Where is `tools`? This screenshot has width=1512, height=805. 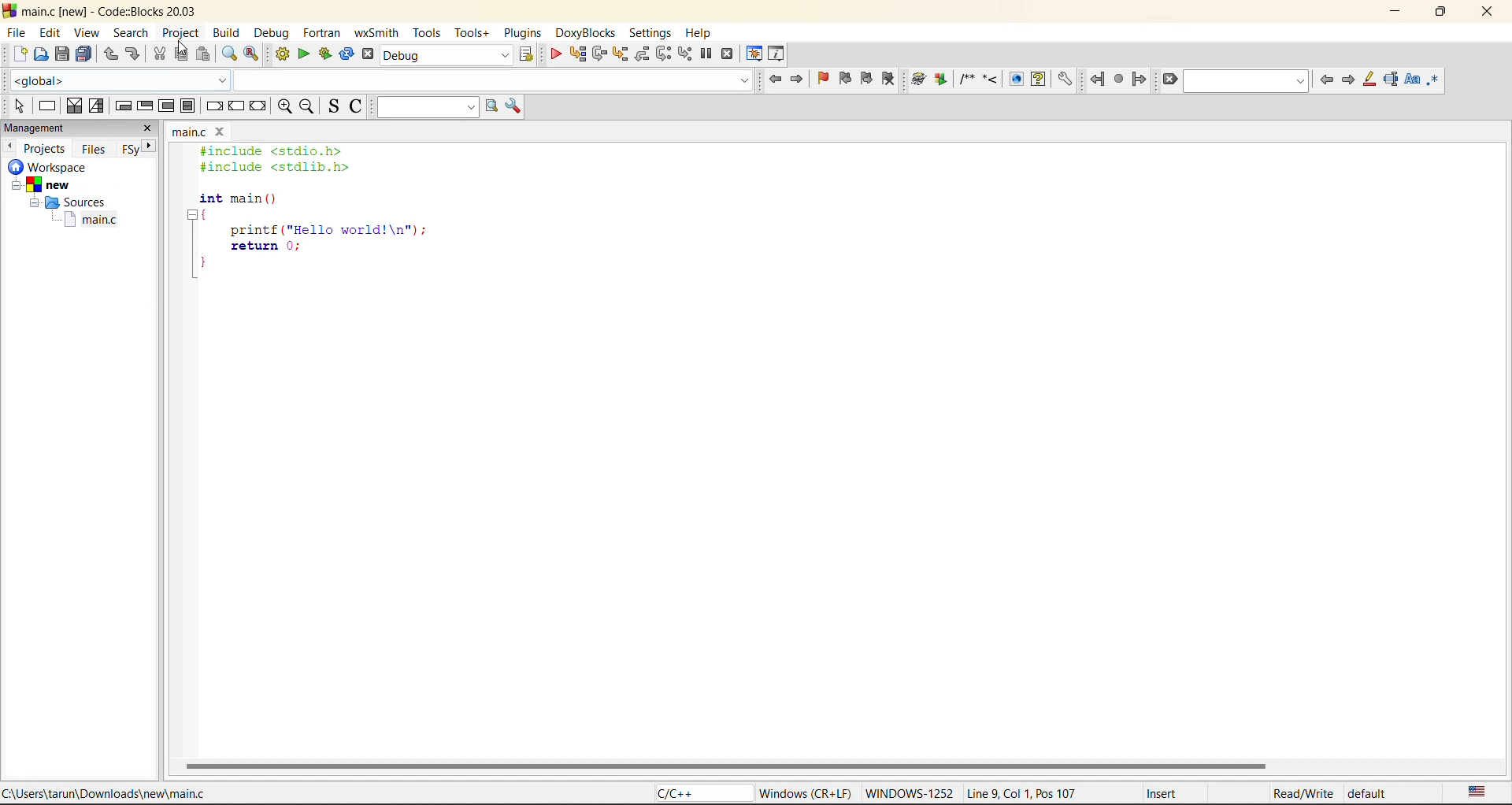
tools is located at coordinates (426, 34).